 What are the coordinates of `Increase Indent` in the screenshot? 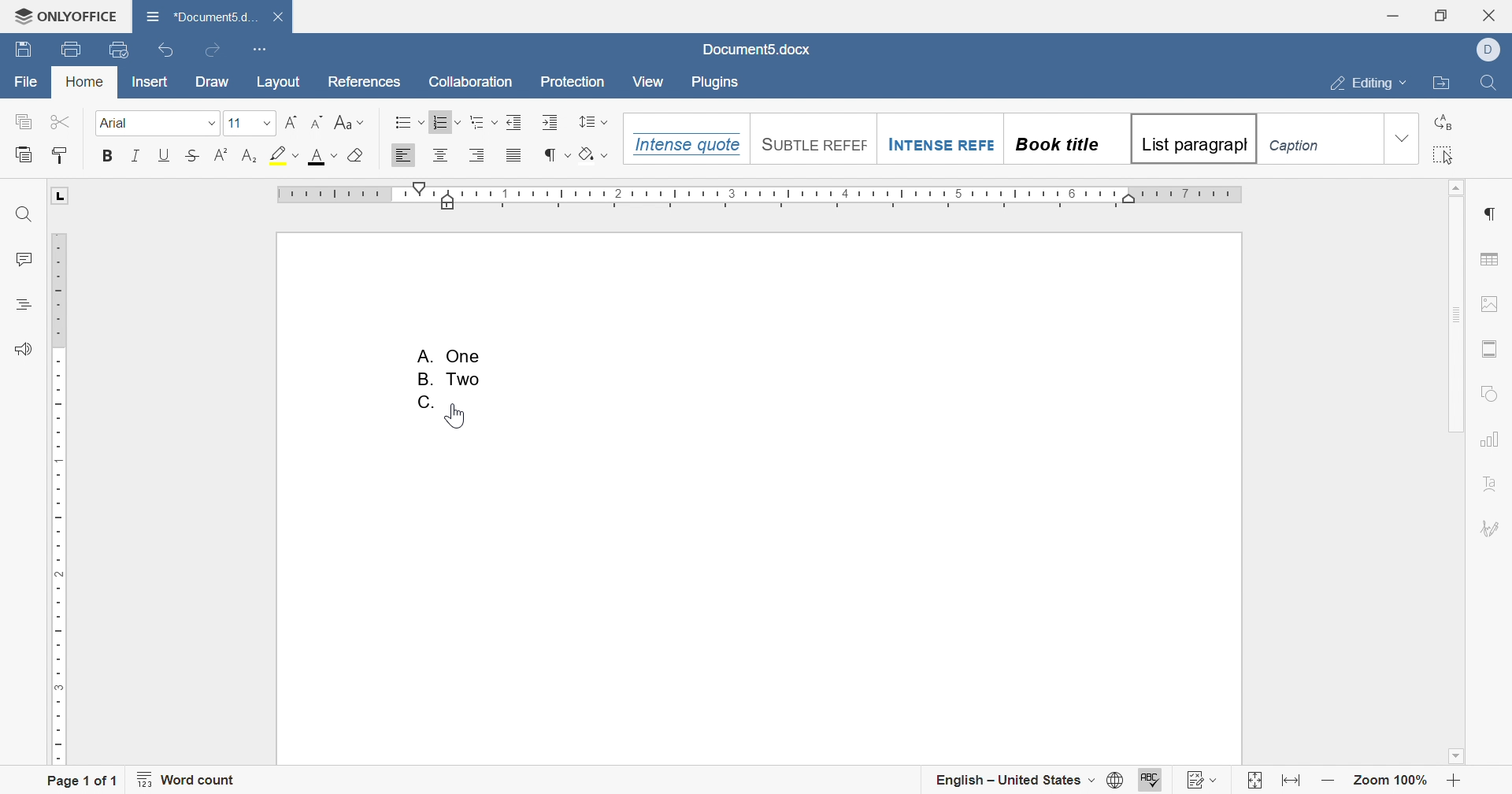 It's located at (513, 121).